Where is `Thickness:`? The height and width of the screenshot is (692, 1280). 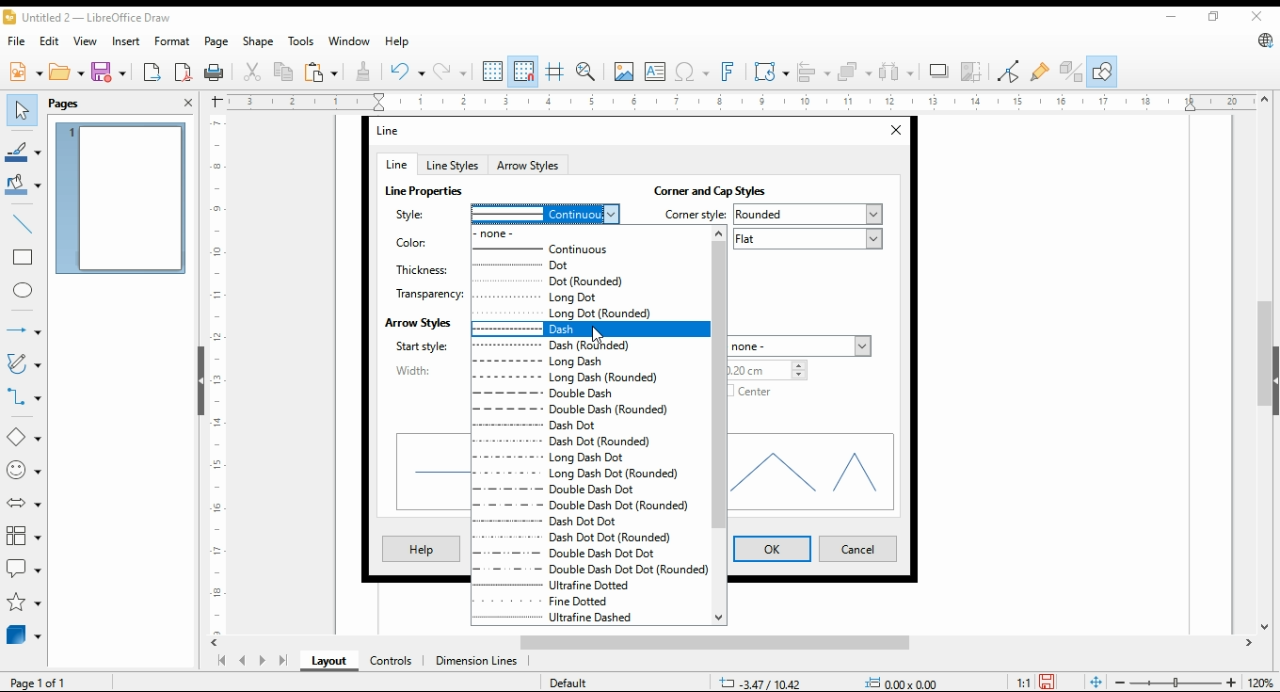 Thickness: is located at coordinates (425, 267).